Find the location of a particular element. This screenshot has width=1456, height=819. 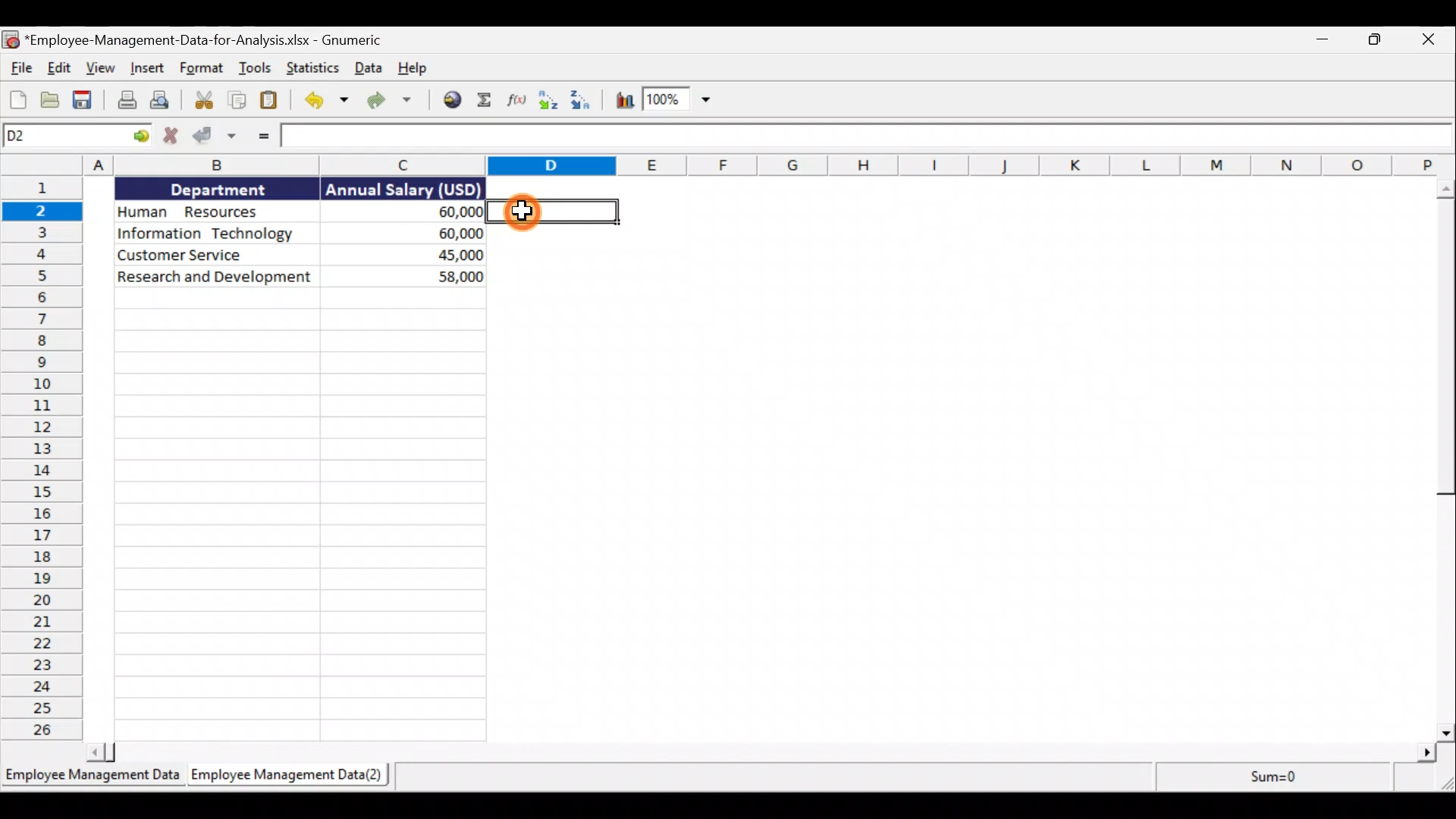

Paste the clipboard is located at coordinates (275, 101).